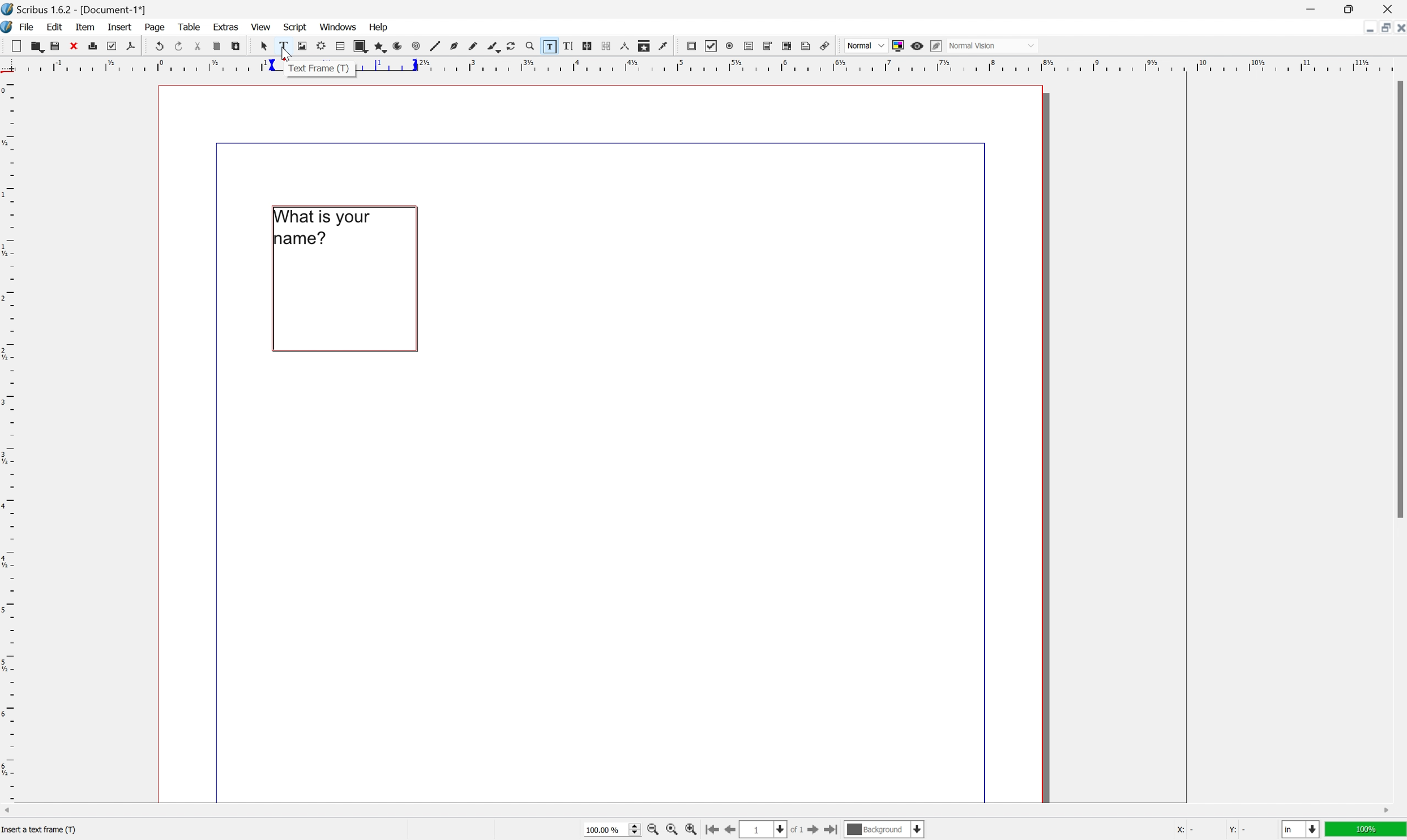  What do you see at coordinates (819, 832) in the screenshot?
I see `go to next` at bounding box center [819, 832].